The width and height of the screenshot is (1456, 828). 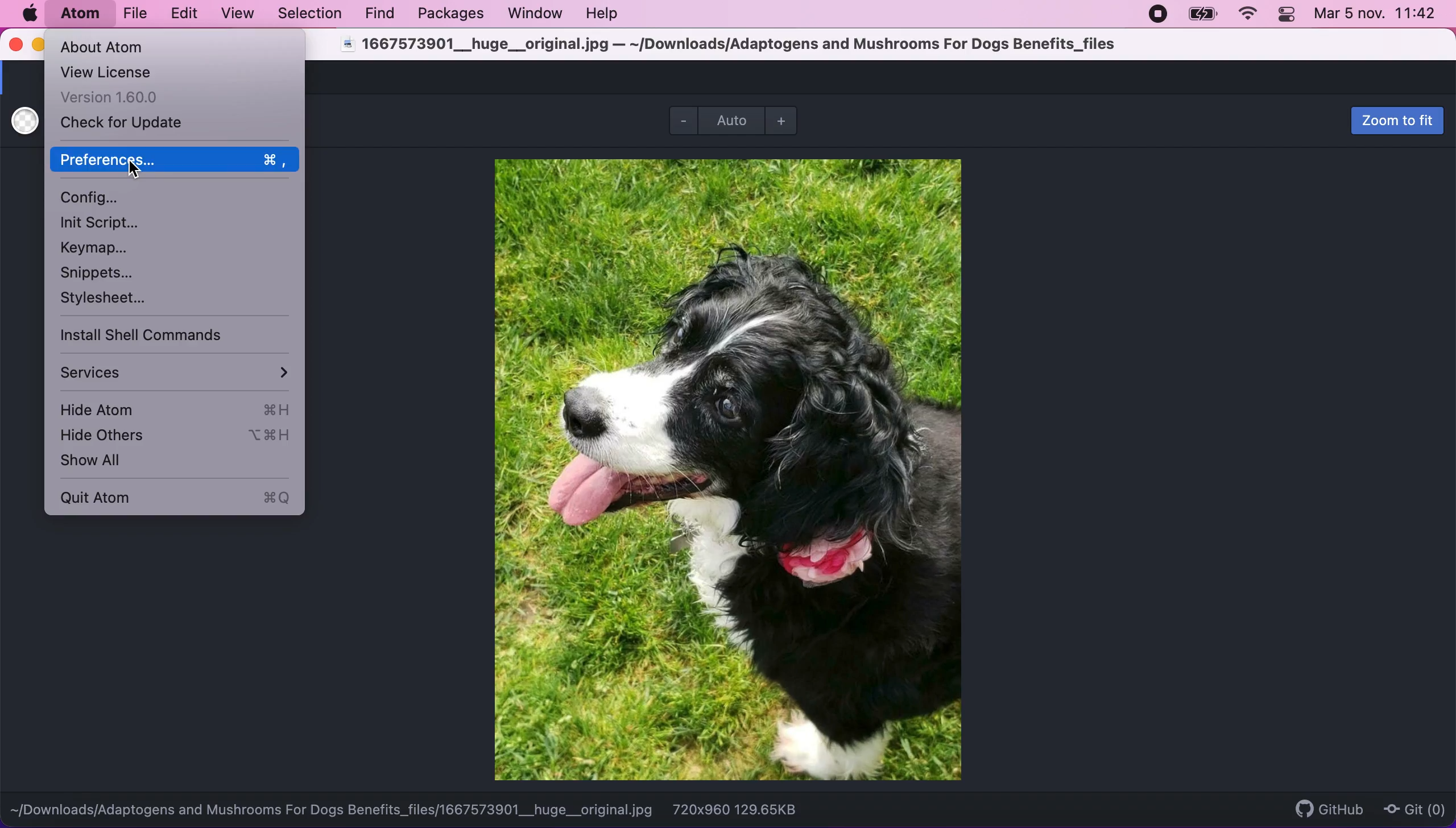 What do you see at coordinates (124, 463) in the screenshot?
I see `show all` at bounding box center [124, 463].